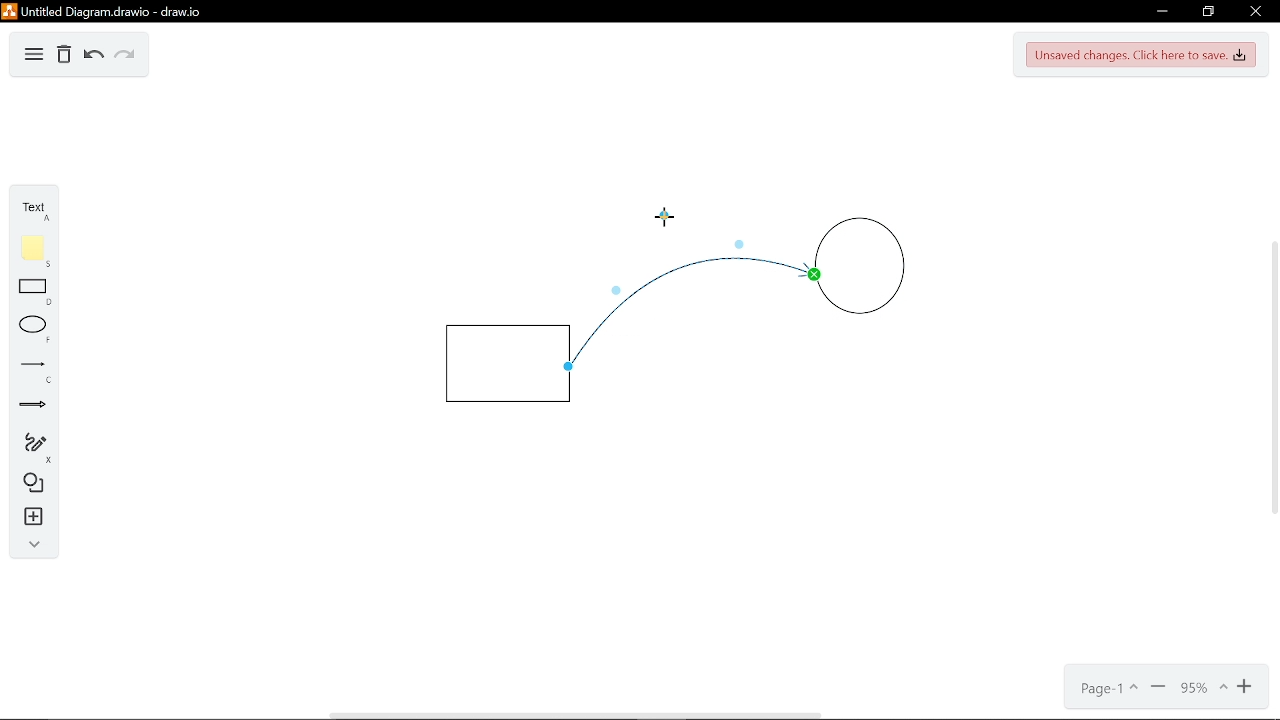 This screenshot has width=1280, height=720. I want to click on Rectangle, so click(507, 363).